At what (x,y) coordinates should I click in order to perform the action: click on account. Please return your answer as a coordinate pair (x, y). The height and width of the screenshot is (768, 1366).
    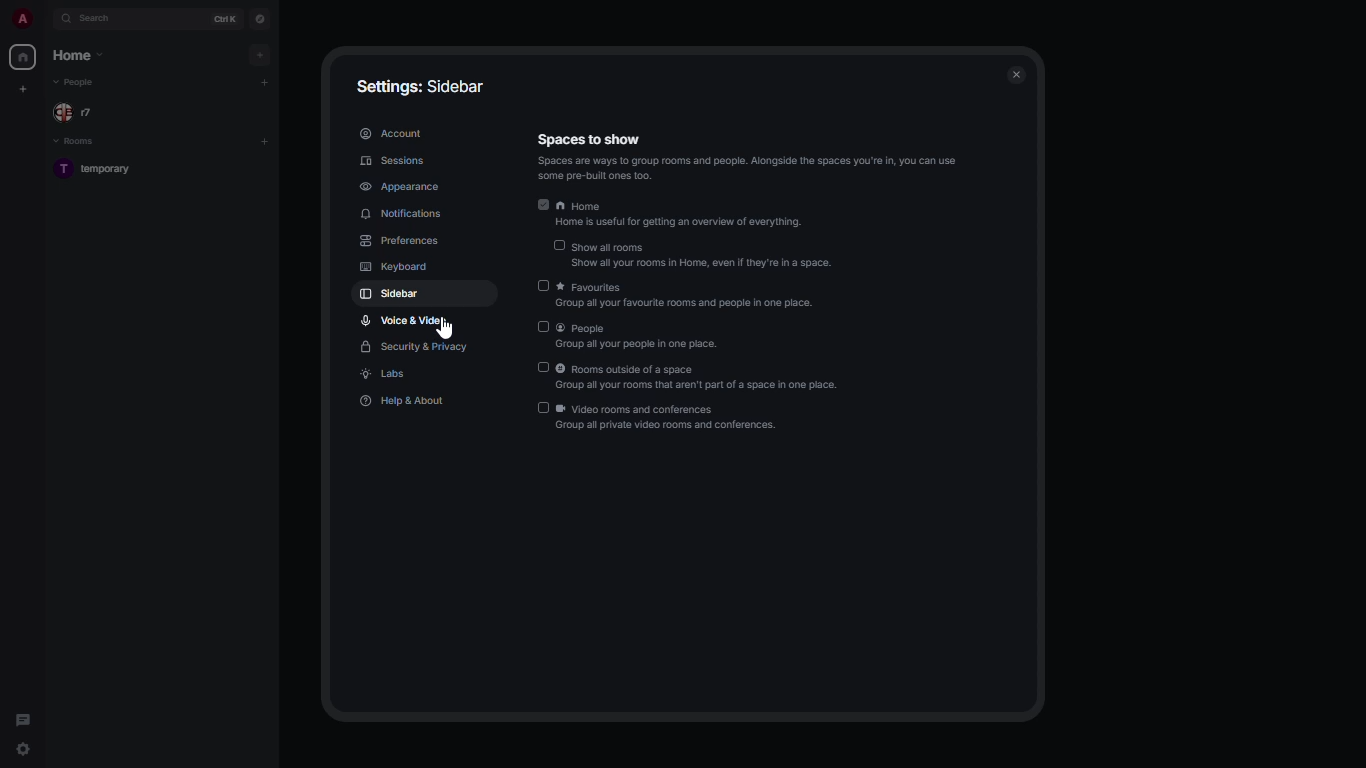
    Looking at the image, I should click on (392, 132).